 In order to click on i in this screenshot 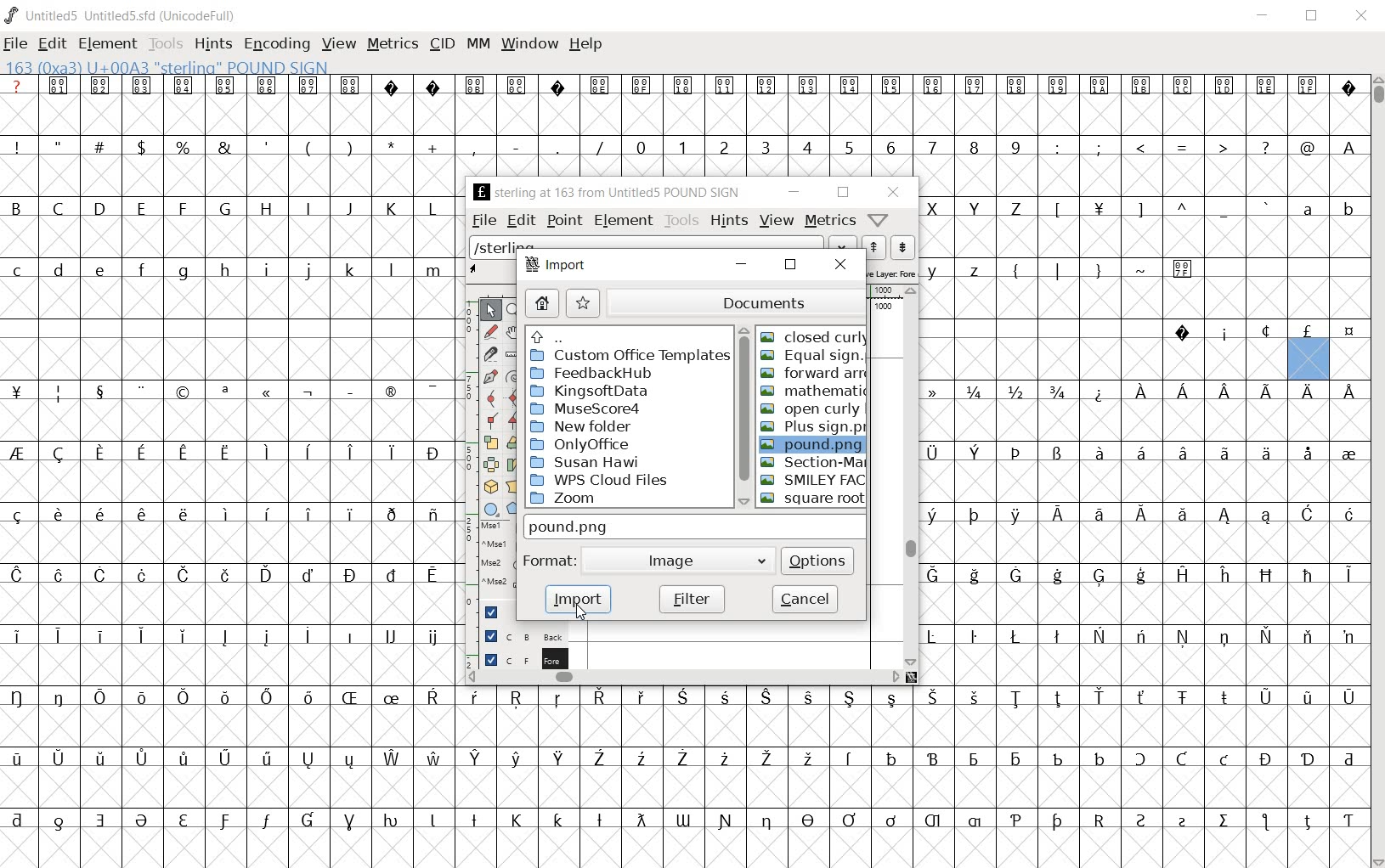, I will do `click(266, 271)`.